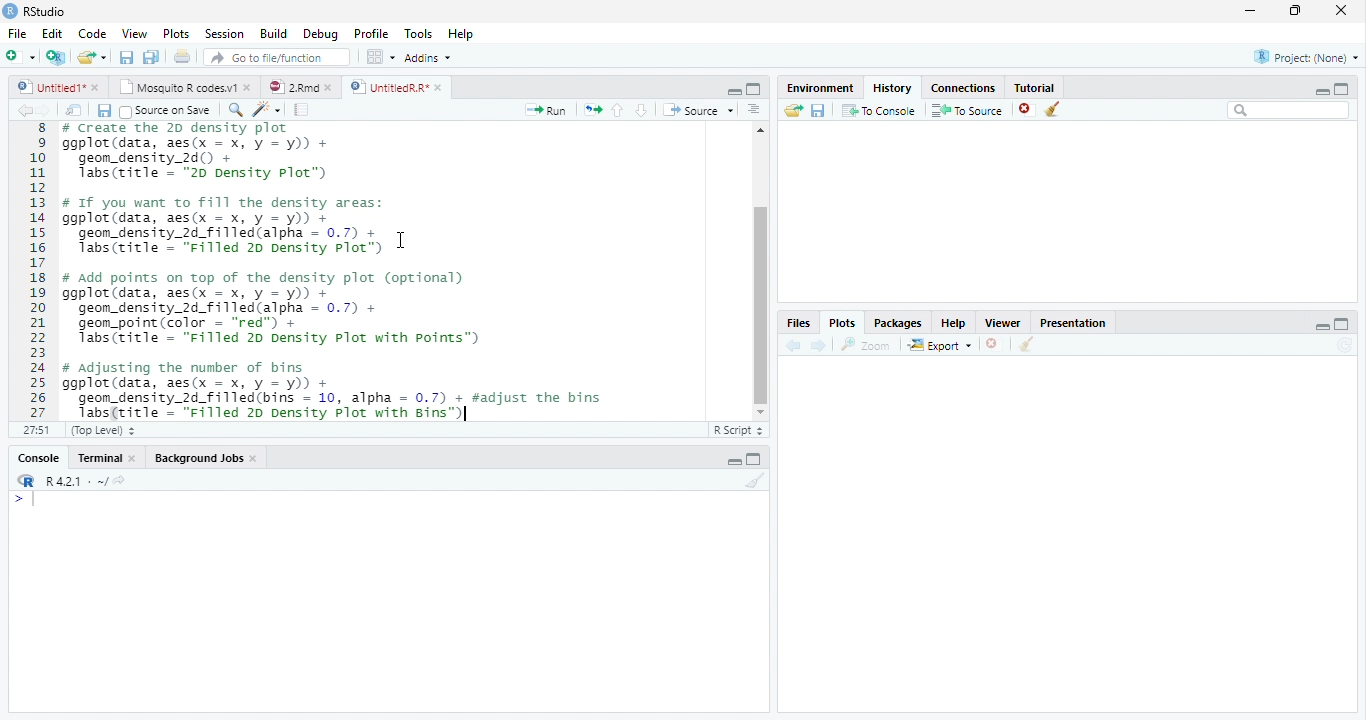 This screenshot has width=1366, height=720. I want to click on ‘Mosquito R codes.v1, so click(178, 87).